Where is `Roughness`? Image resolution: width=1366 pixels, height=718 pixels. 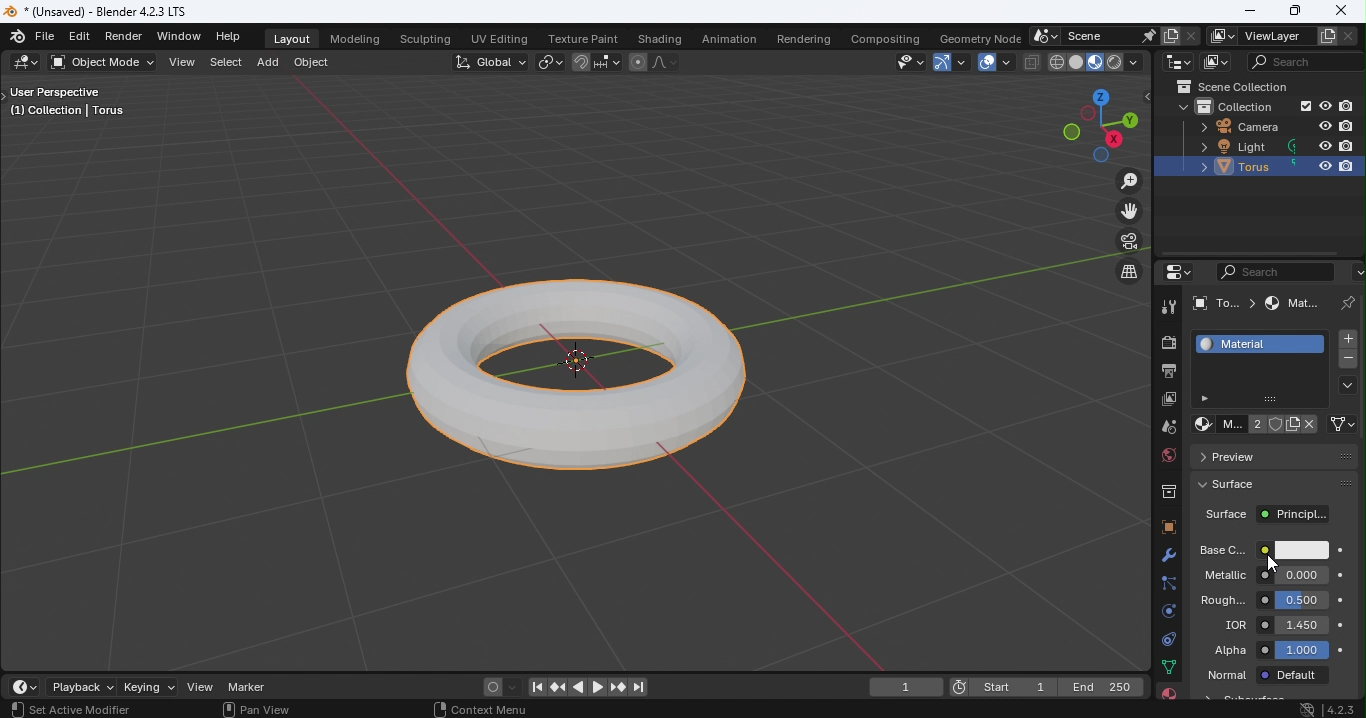
Roughness is located at coordinates (1257, 601).